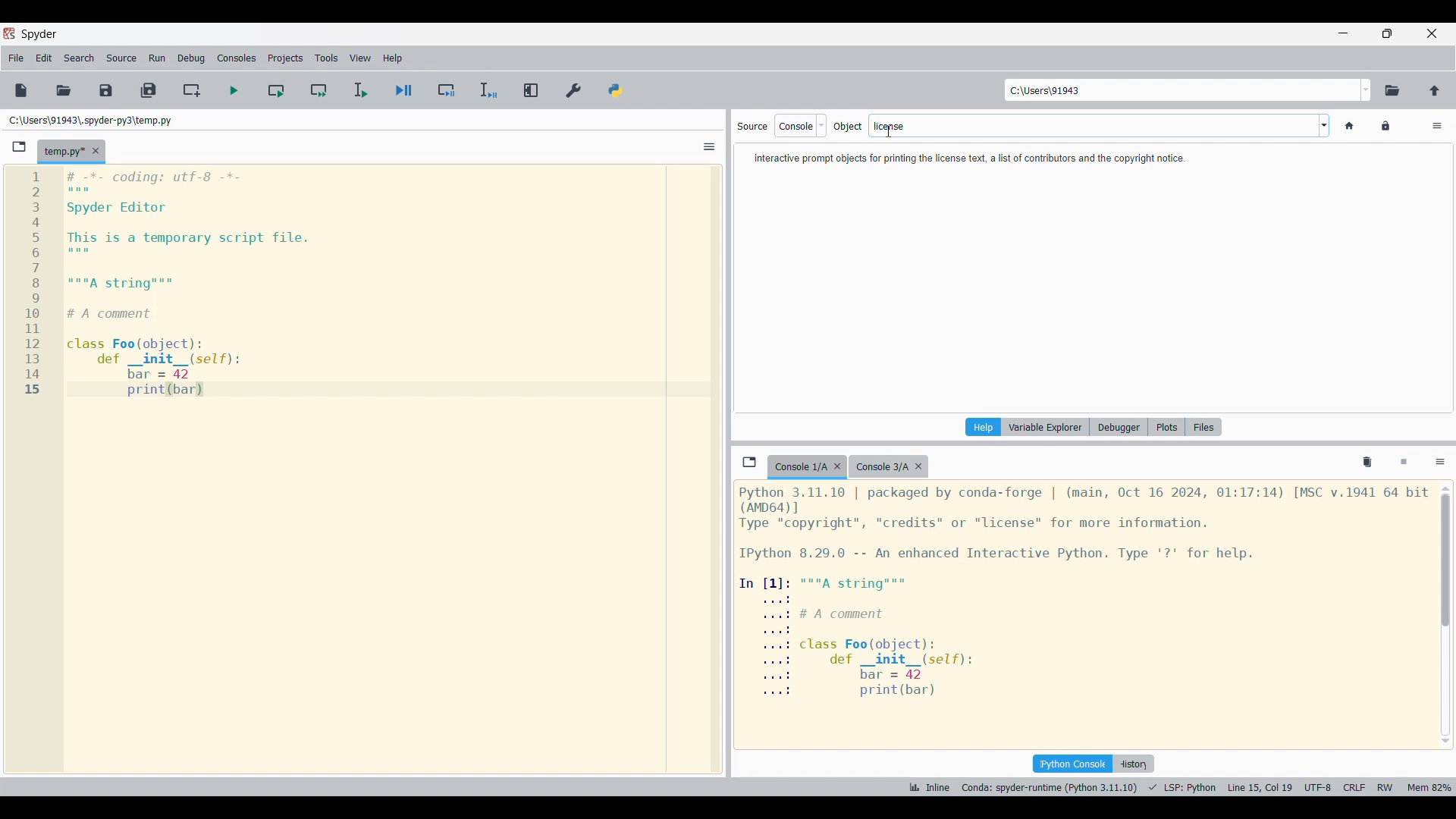 Image resolution: width=1456 pixels, height=819 pixels. What do you see at coordinates (237, 58) in the screenshot?
I see `Consoles menu` at bounding box center [237, 58].